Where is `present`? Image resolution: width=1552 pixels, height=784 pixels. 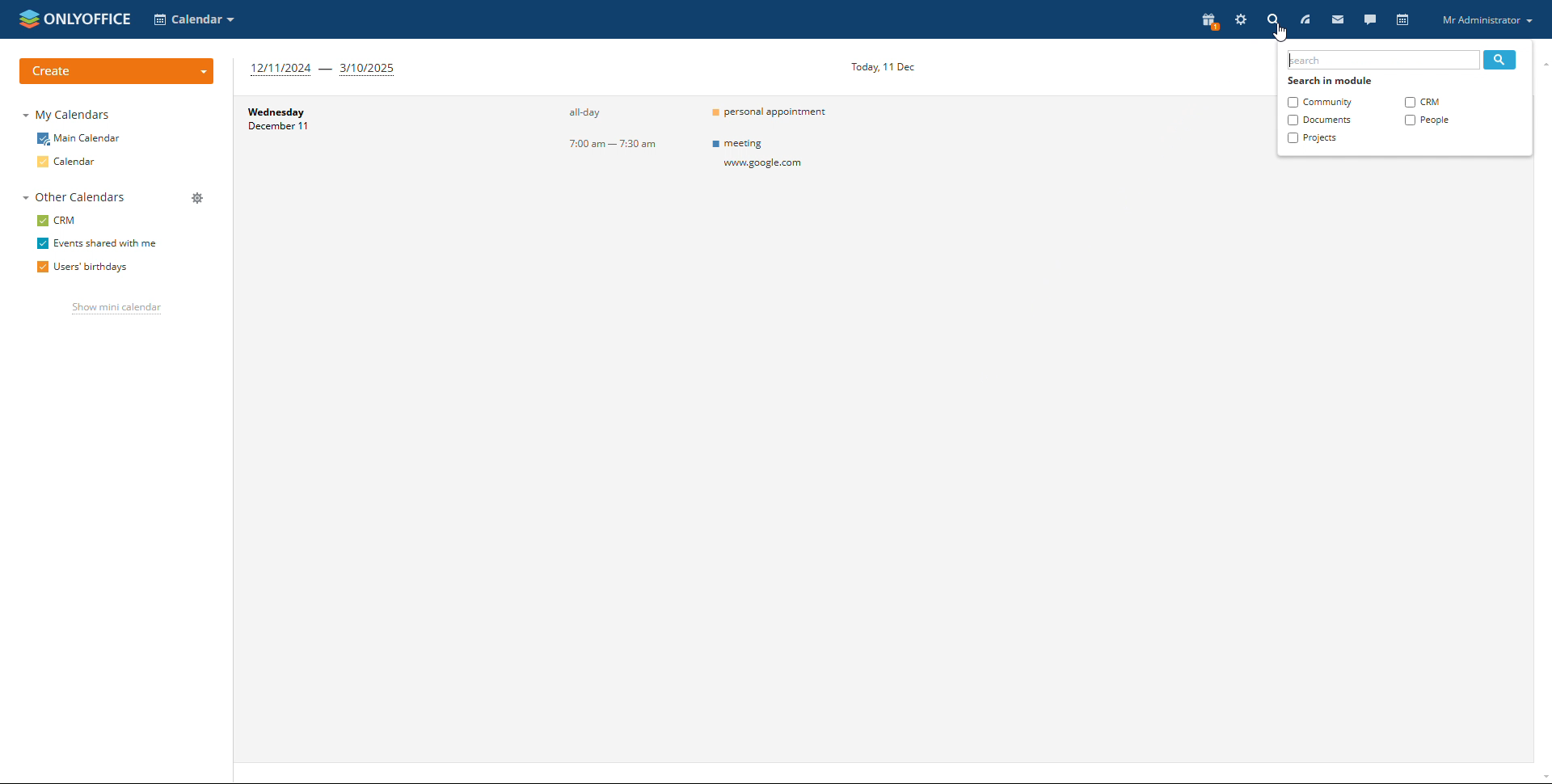 present is located at coordinates (1208, 21).